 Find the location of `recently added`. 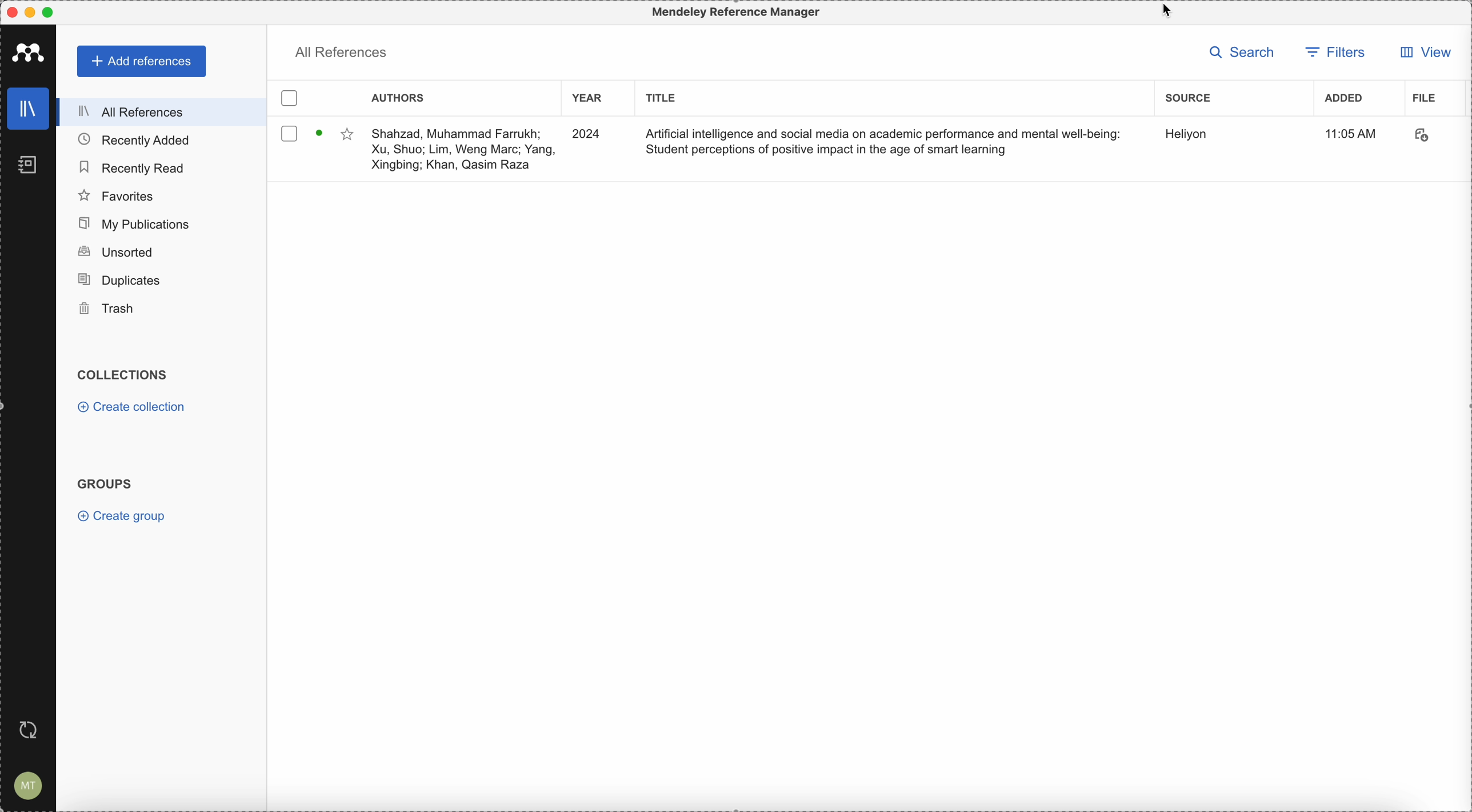

recently added is located at coordinates (136, 140).